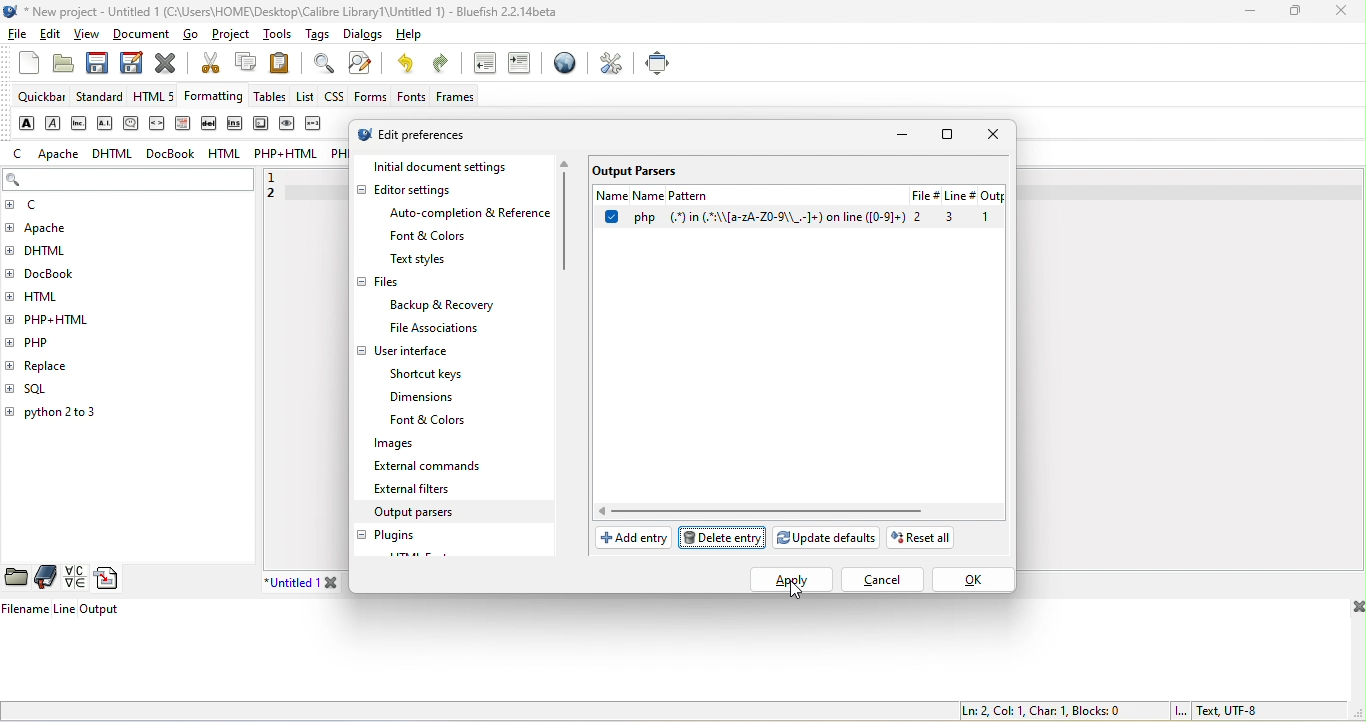 The height and width of the screenshot is (722, 1366). I want to click on files, so click(380, 284).